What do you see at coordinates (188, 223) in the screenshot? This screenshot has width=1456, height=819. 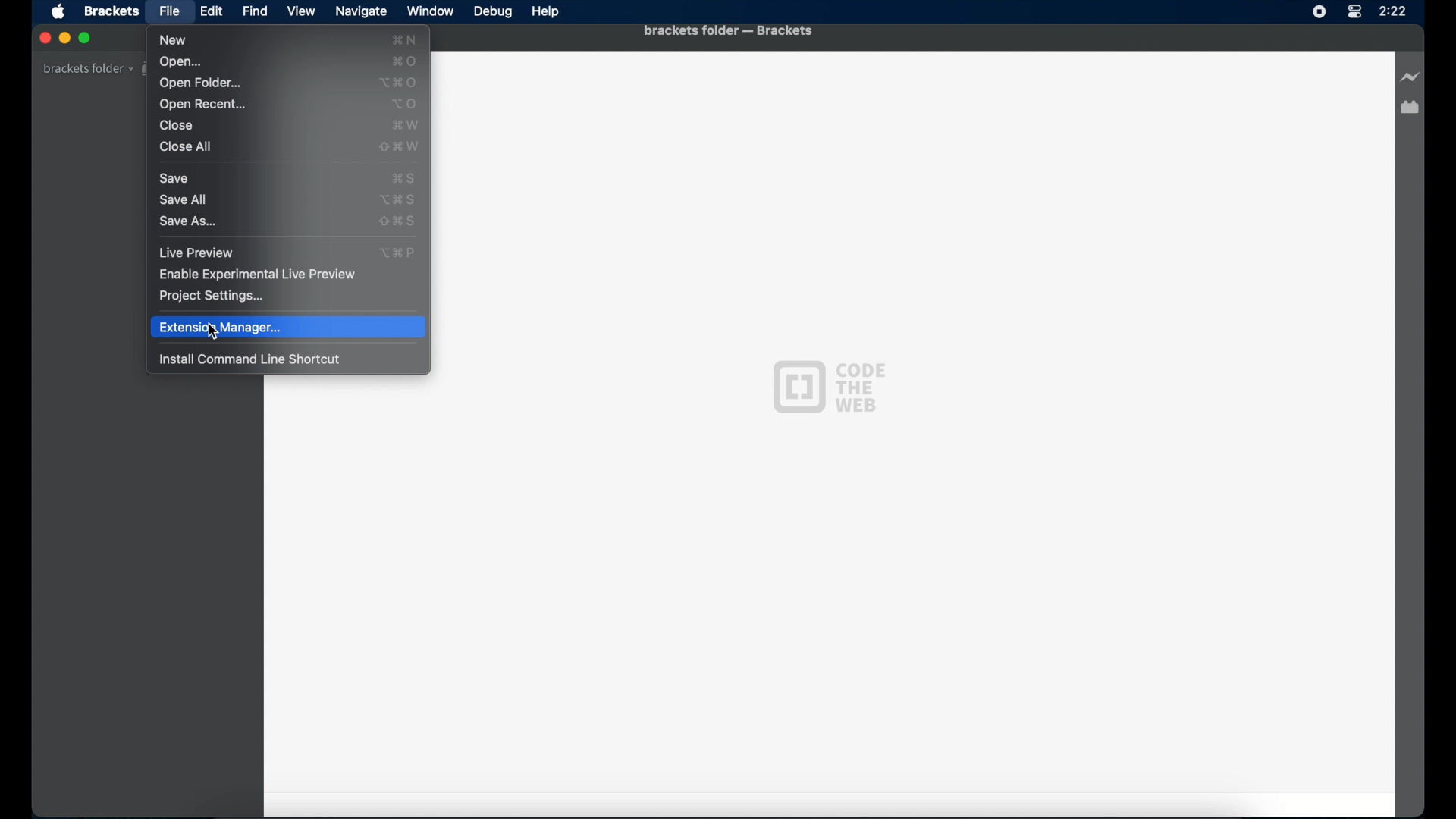 I see `save as` at bounding box center [188, 223].